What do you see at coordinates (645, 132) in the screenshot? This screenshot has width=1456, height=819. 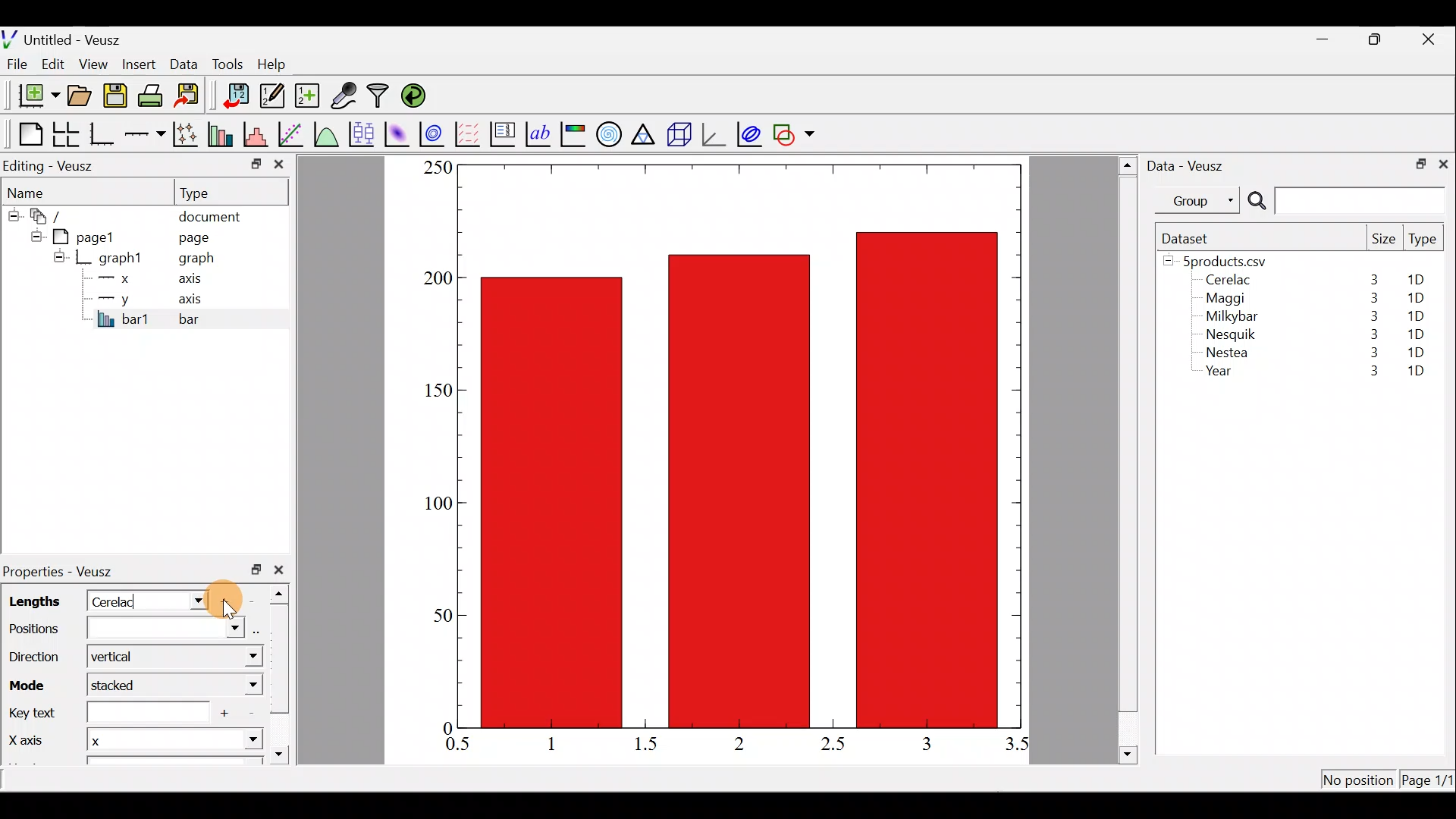 I see `Ternary graph` at bounding box center [645, 132].